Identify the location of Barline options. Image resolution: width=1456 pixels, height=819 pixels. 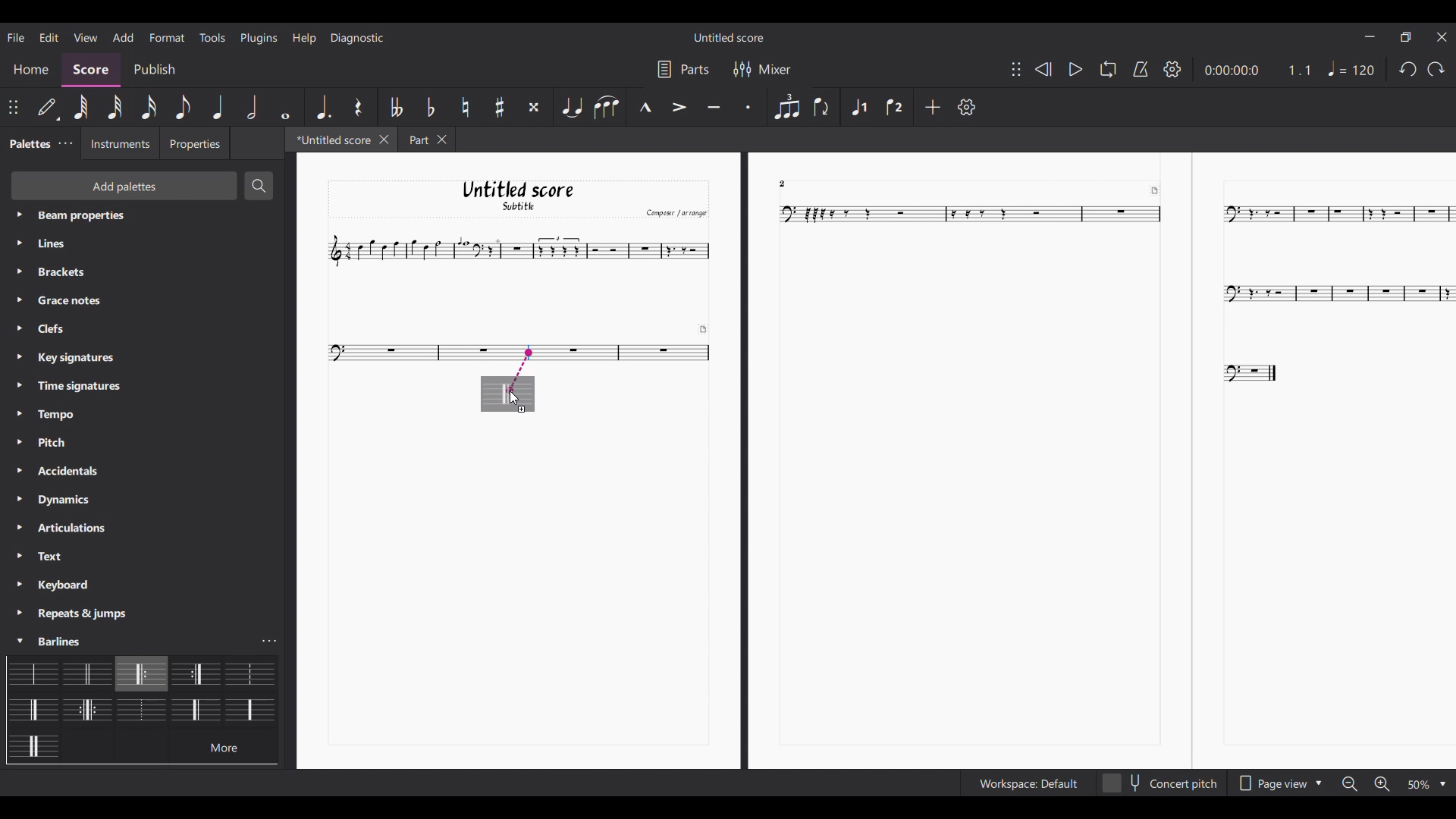
(195, 672).